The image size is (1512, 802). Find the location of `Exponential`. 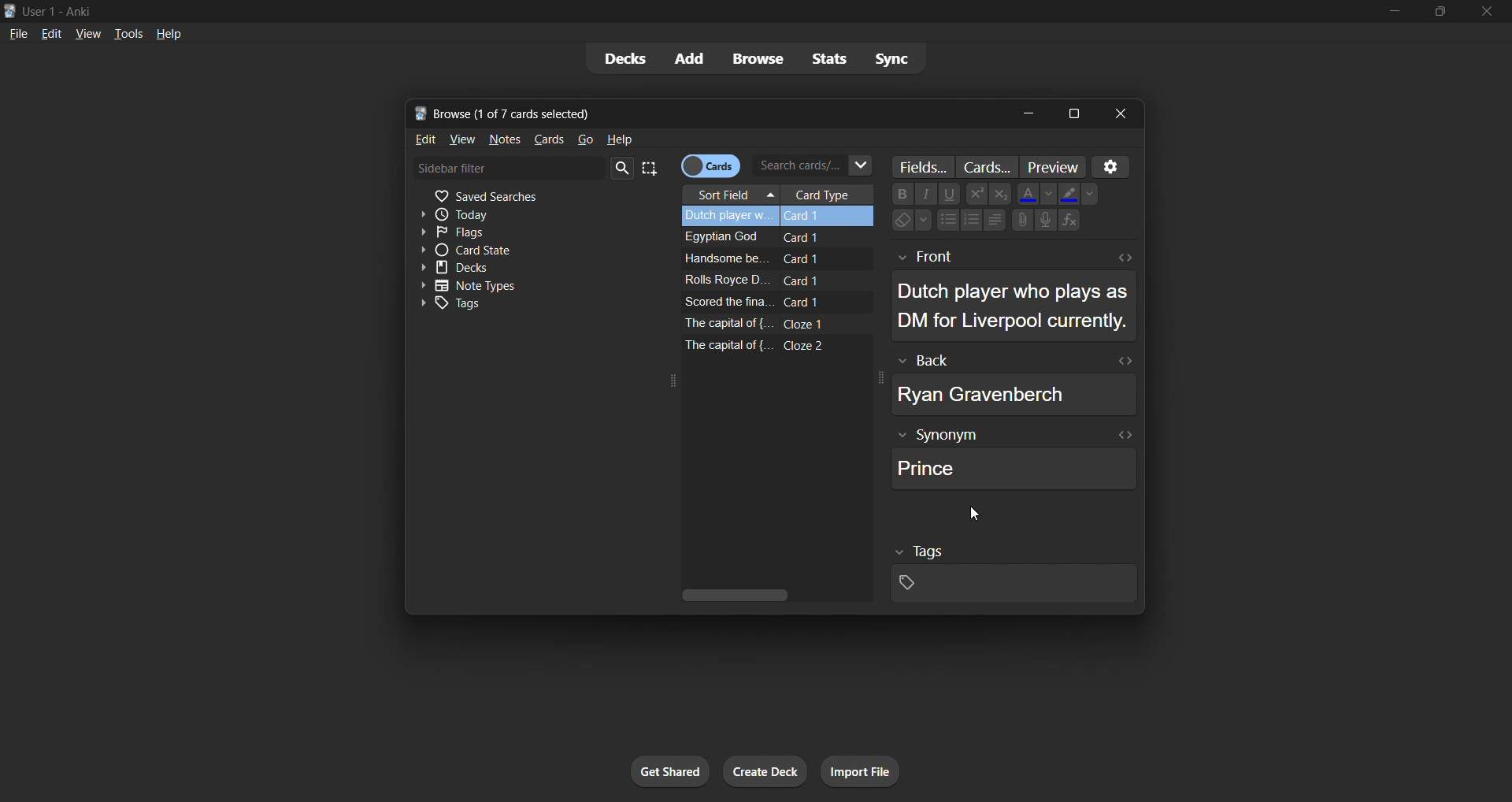

Exponential is located at coordinates (999, 192).